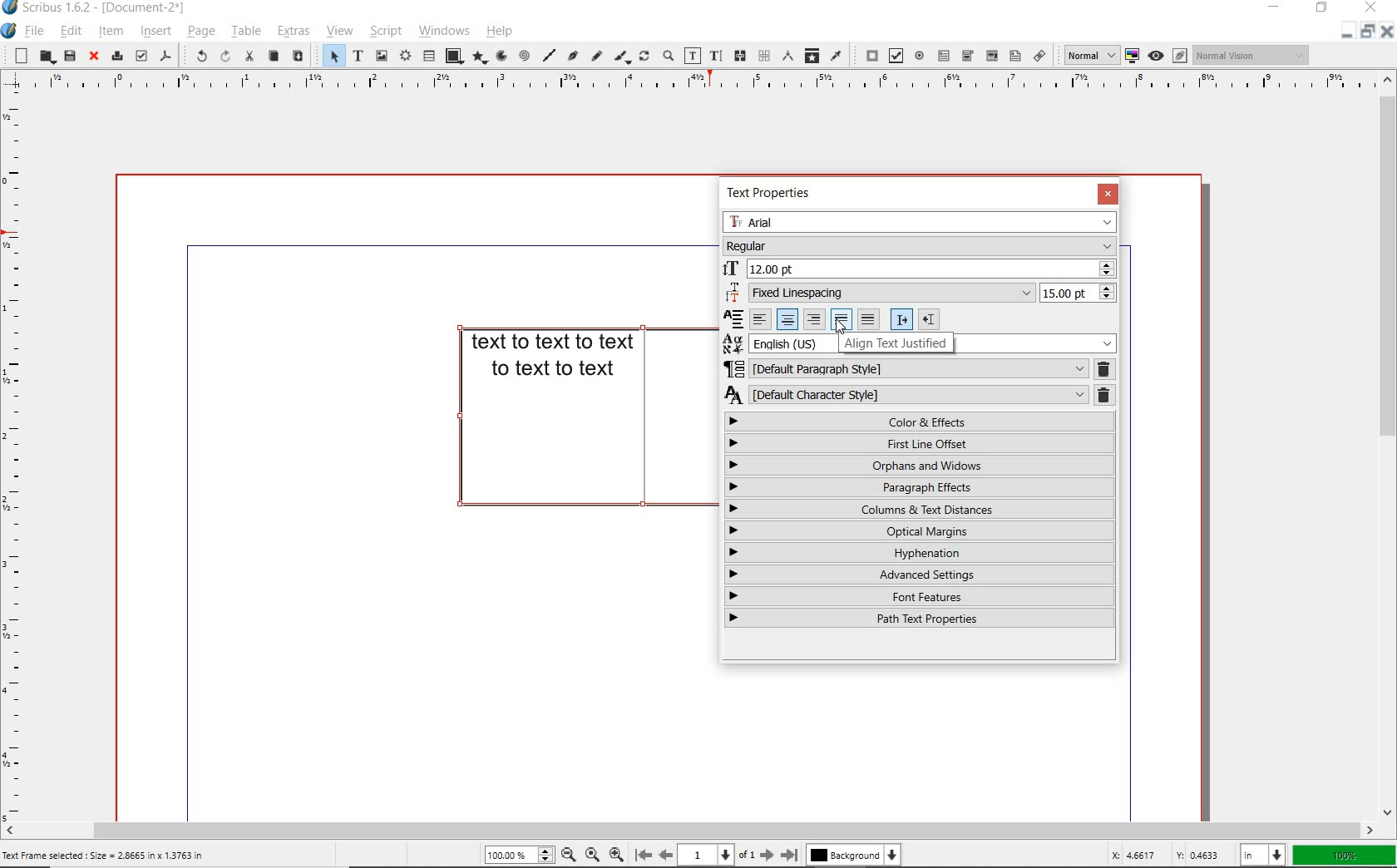 Image resolution: width=1397 pixels, height=868 pixels. I want to click on spiral, so click(524, 55).